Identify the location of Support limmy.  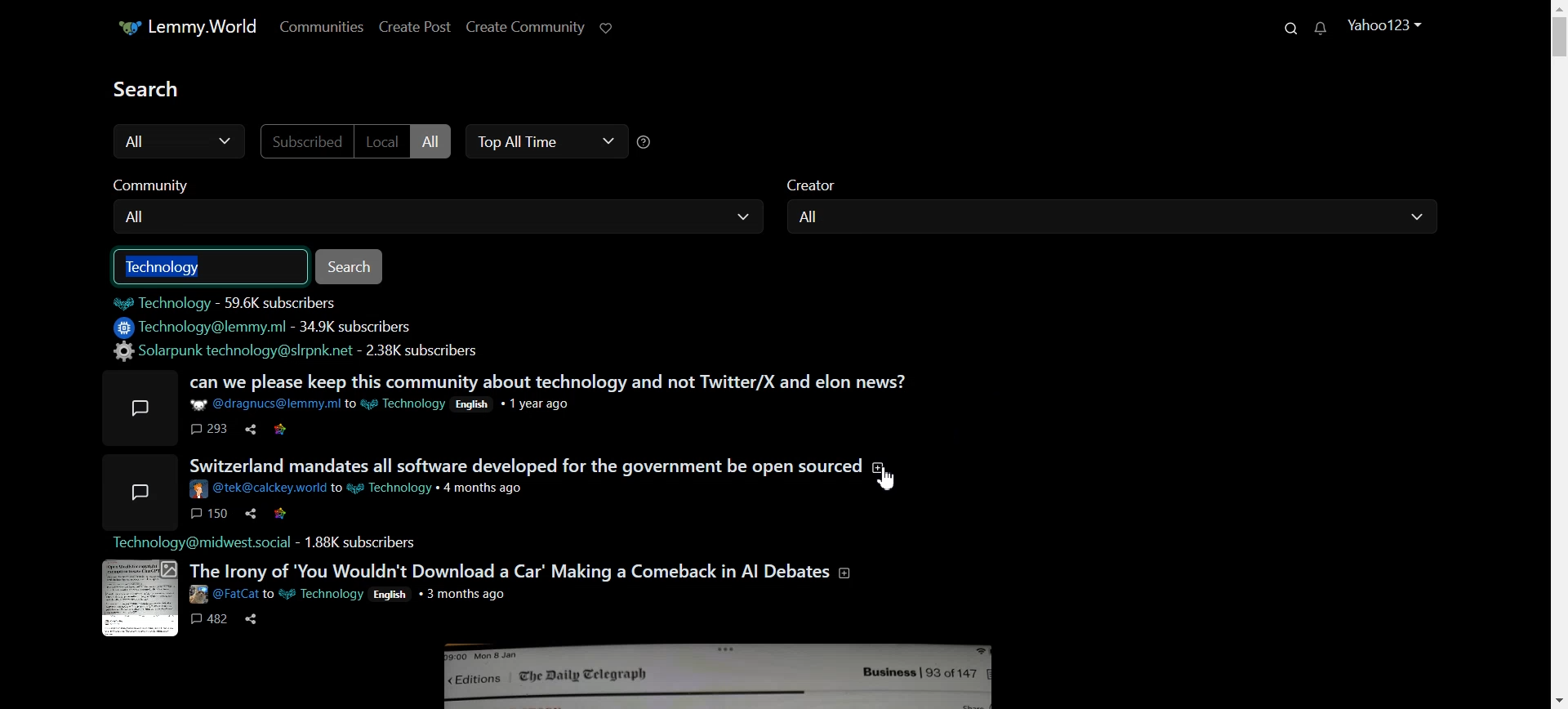
(612, 27).